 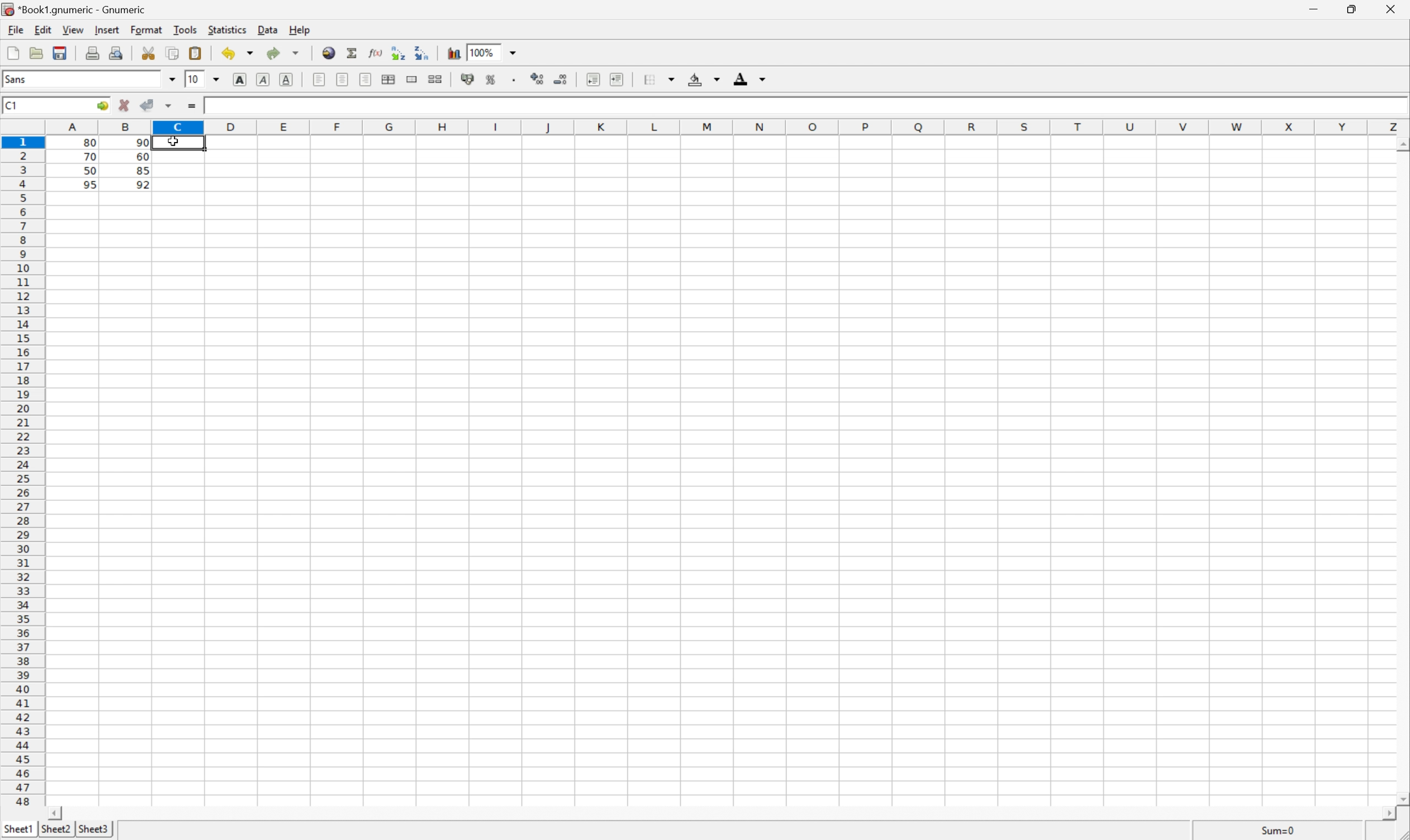 I want to click on Format the selection as accounting, so click(x=467, y=79).